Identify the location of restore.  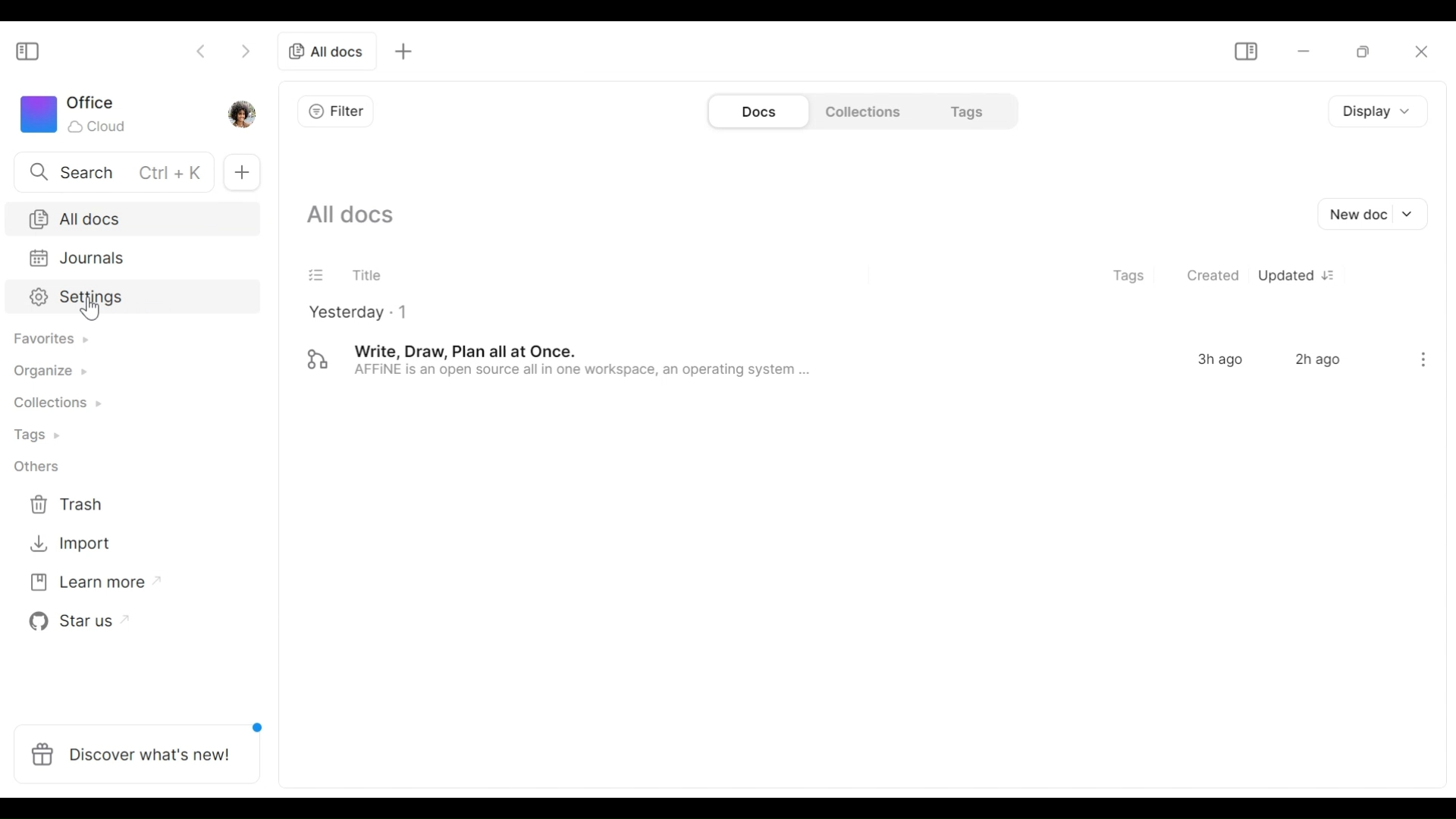
(1364, 52).